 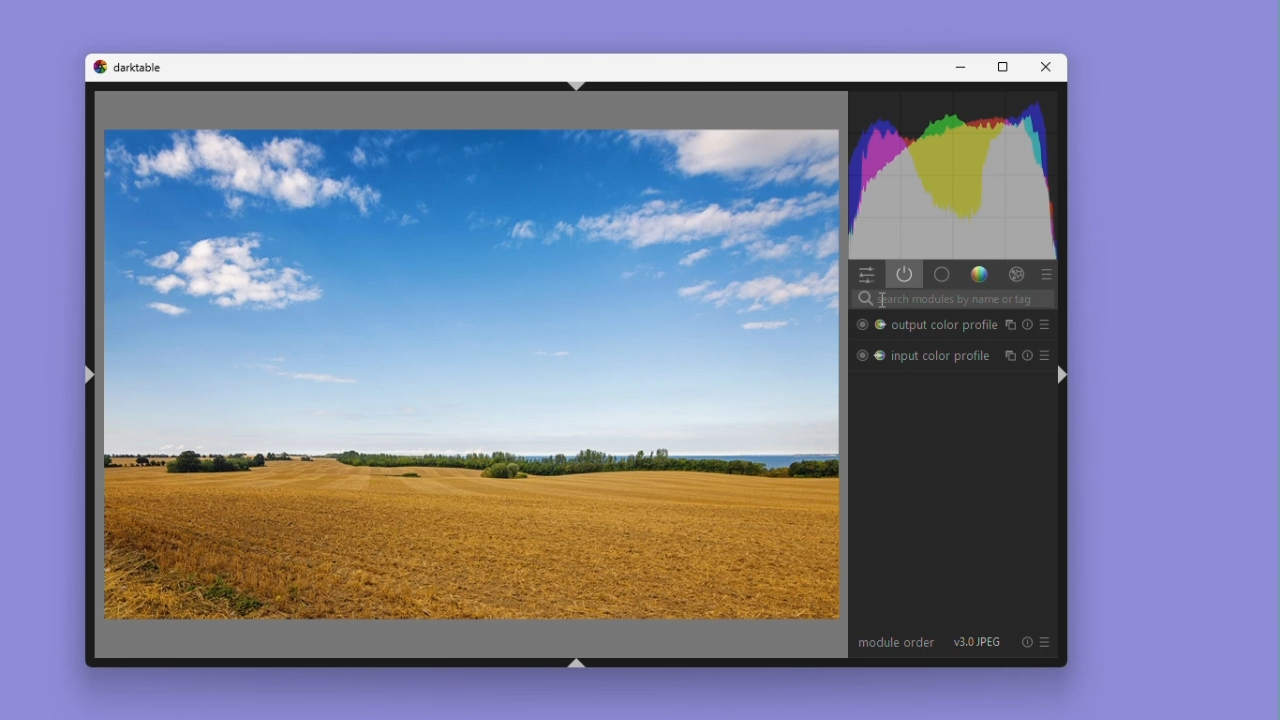 What do you see at coordinates (1045, 275) in the screenshot?
I see `presets` at bounding box center [1045, 275].